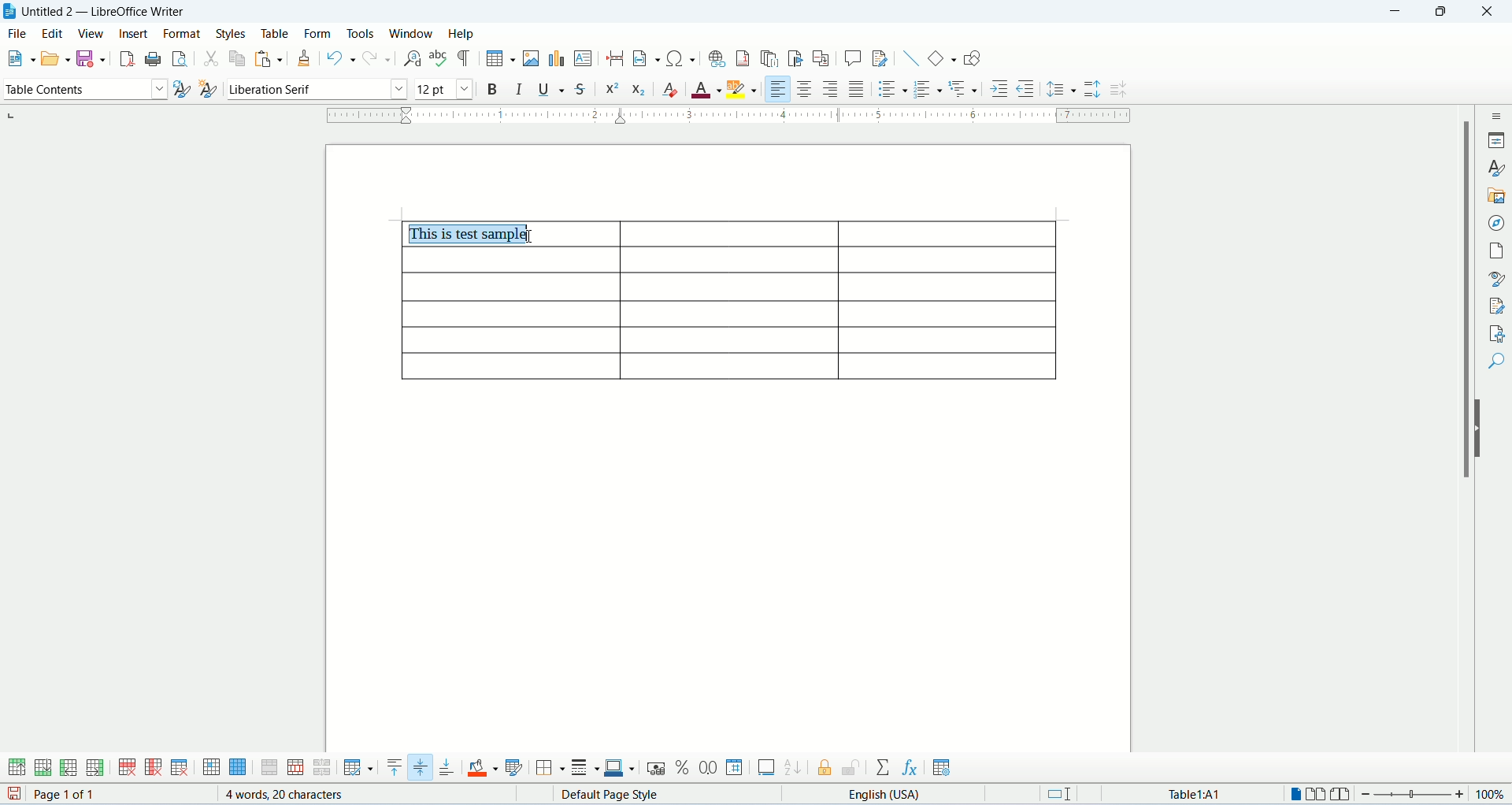 This screenshot has height=805, width=1512. Describe the element at coordinates (828, 769) in the screenshot. I see `protect cells` at that location.